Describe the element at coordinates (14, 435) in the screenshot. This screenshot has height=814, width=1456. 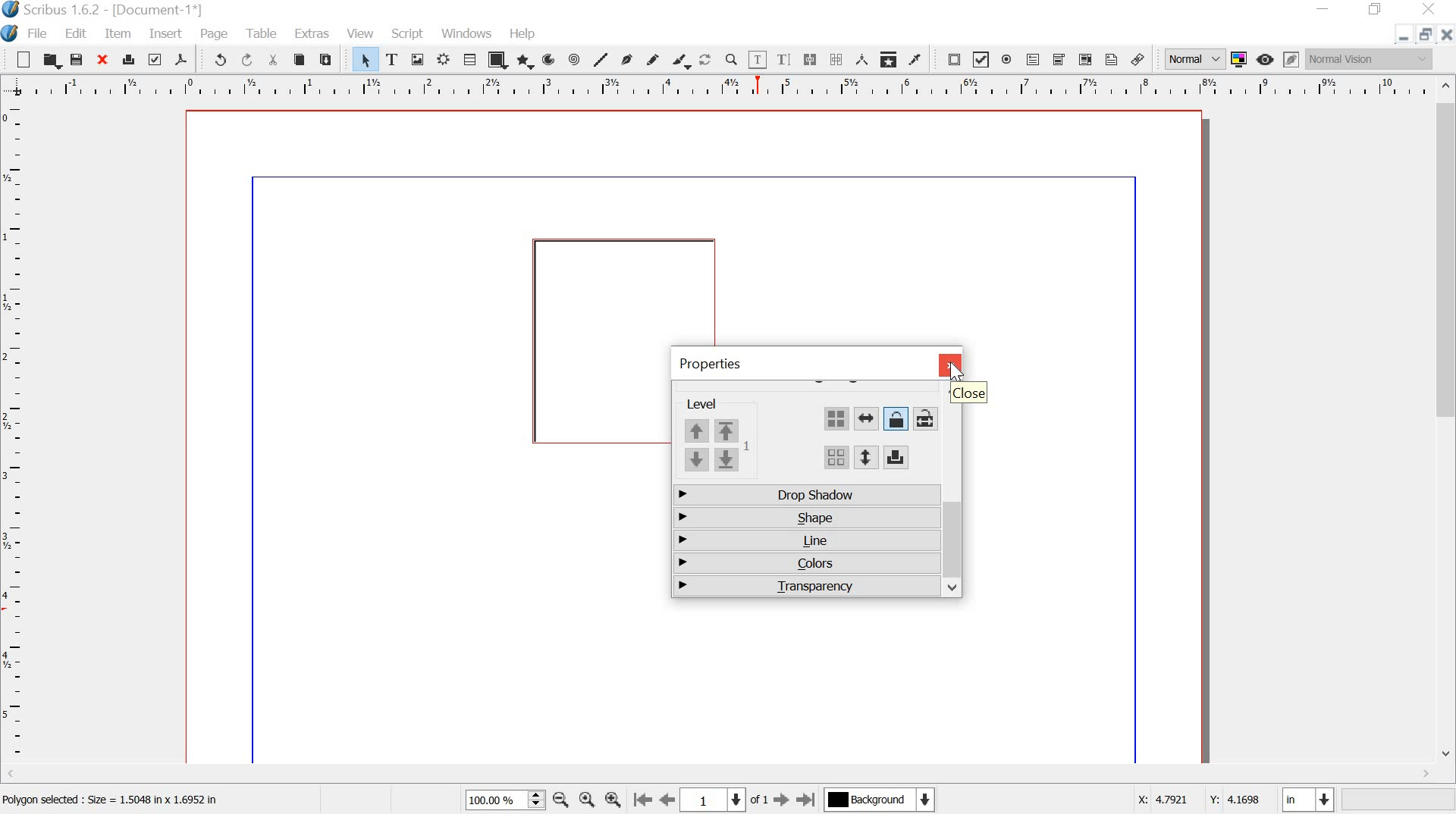
I see `ruler` at that location.